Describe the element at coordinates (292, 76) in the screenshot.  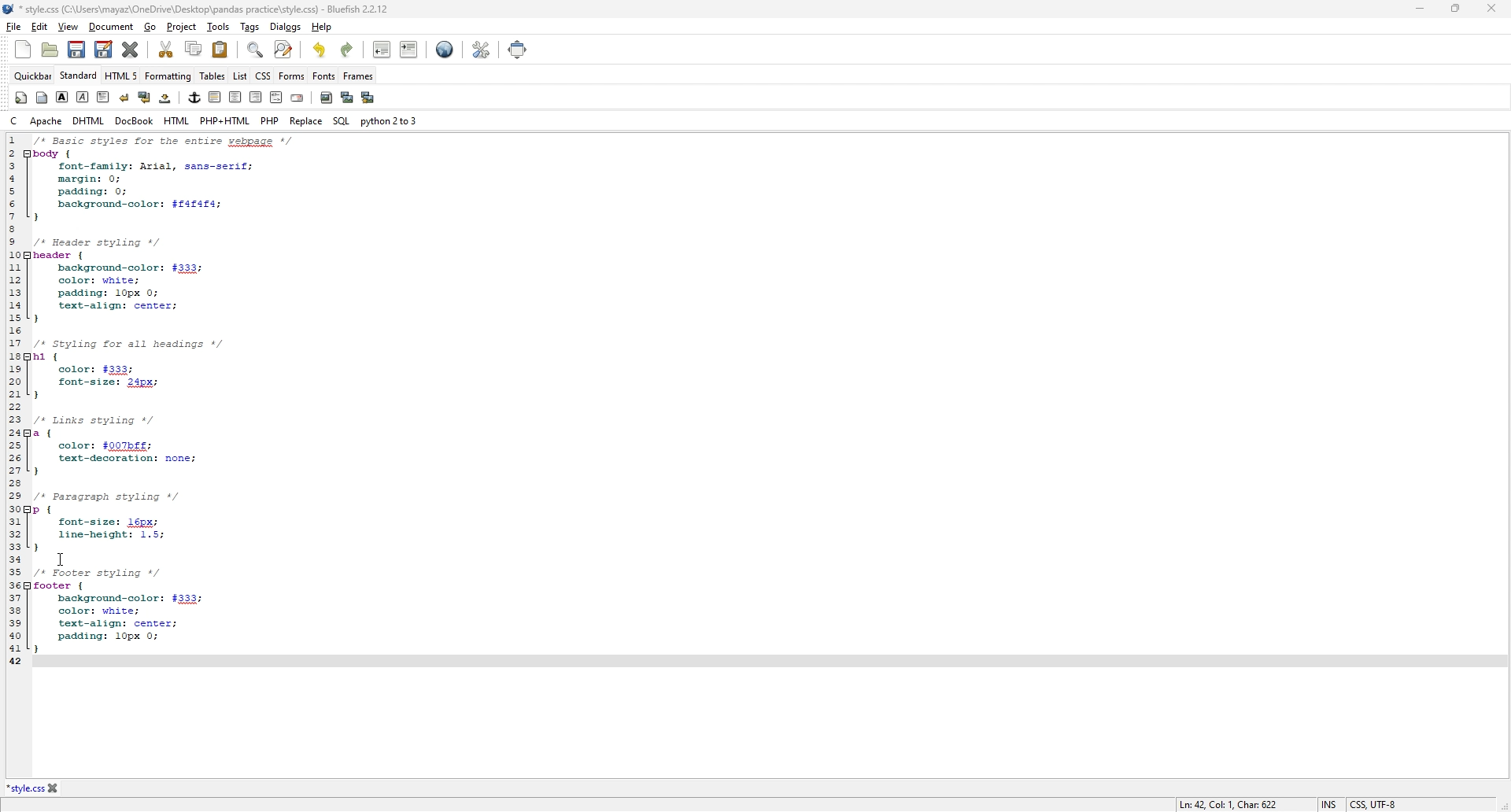
I see `forms` at that location.